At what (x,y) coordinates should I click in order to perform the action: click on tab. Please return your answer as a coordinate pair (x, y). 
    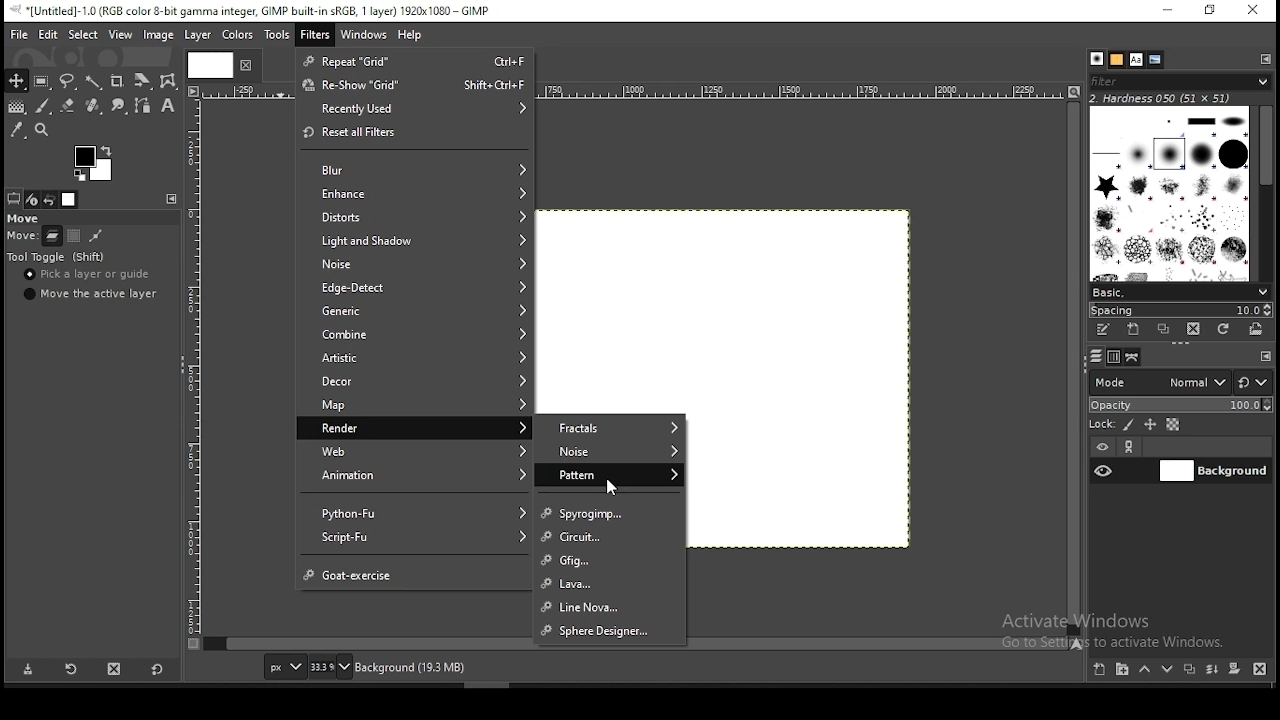
    Looking at the image, I should click on (208, 64).